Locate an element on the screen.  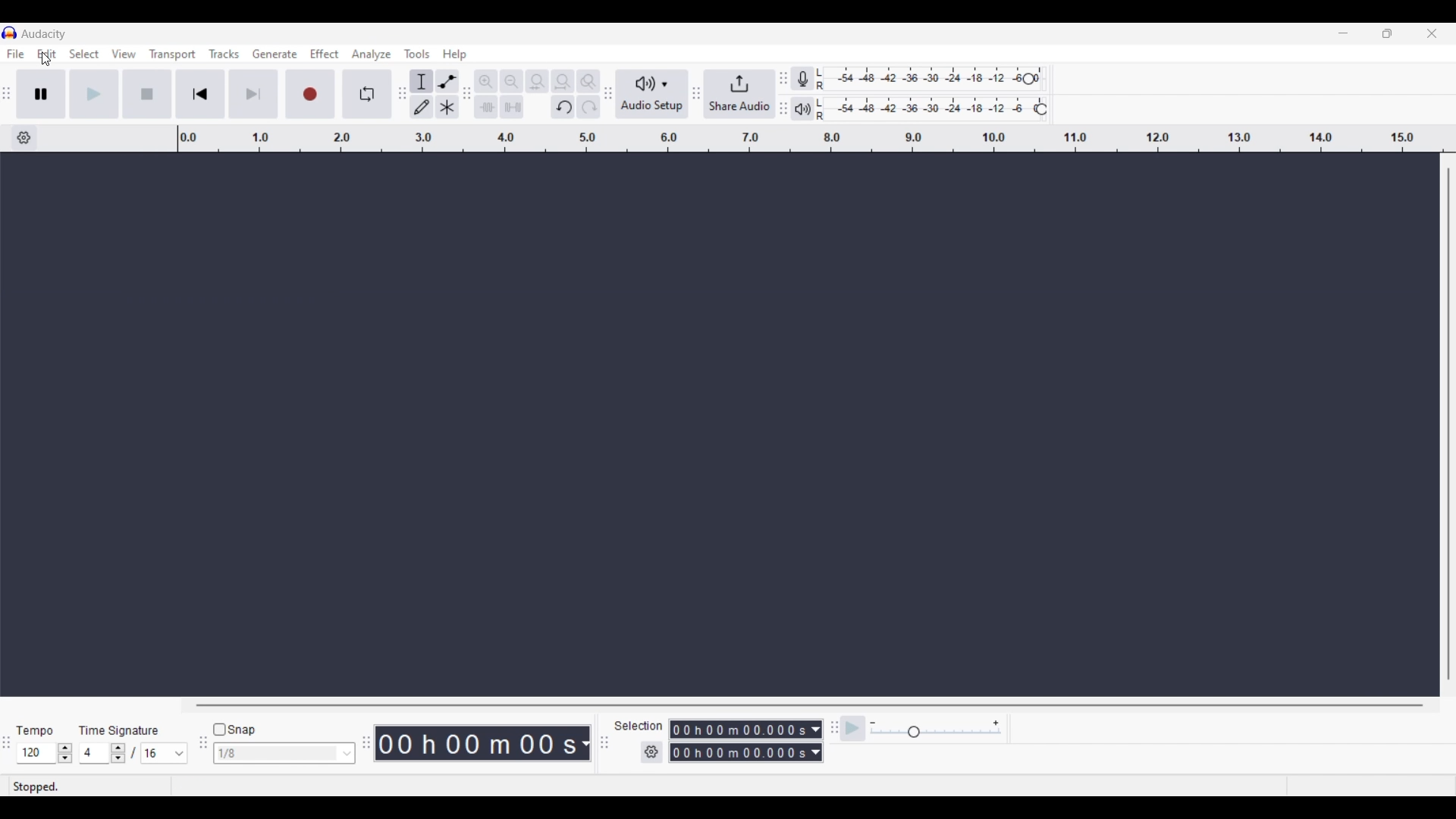
Skip to start/Select to start is located at coordinates (200, 93).